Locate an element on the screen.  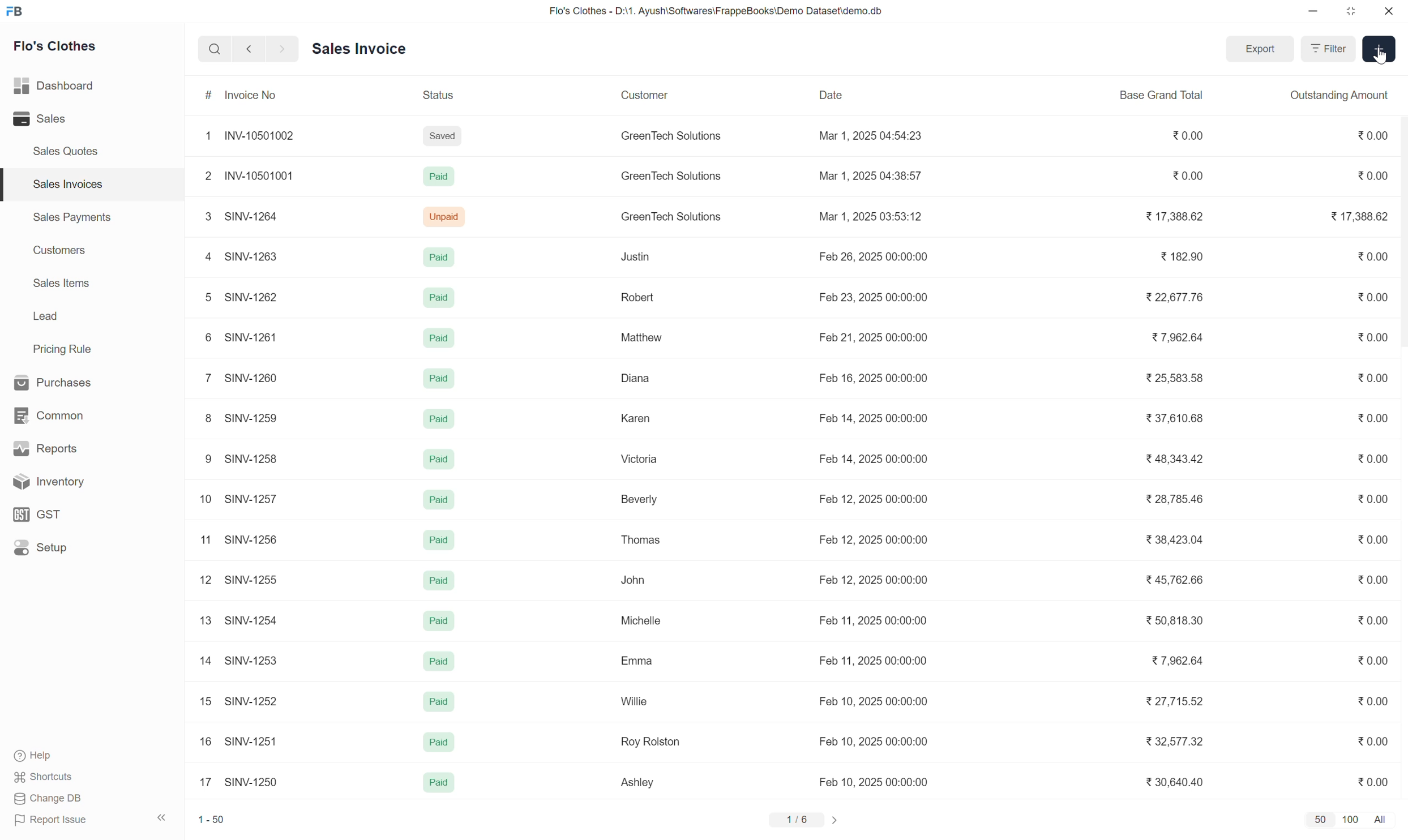
Paid is located at coordinates (439, 622).